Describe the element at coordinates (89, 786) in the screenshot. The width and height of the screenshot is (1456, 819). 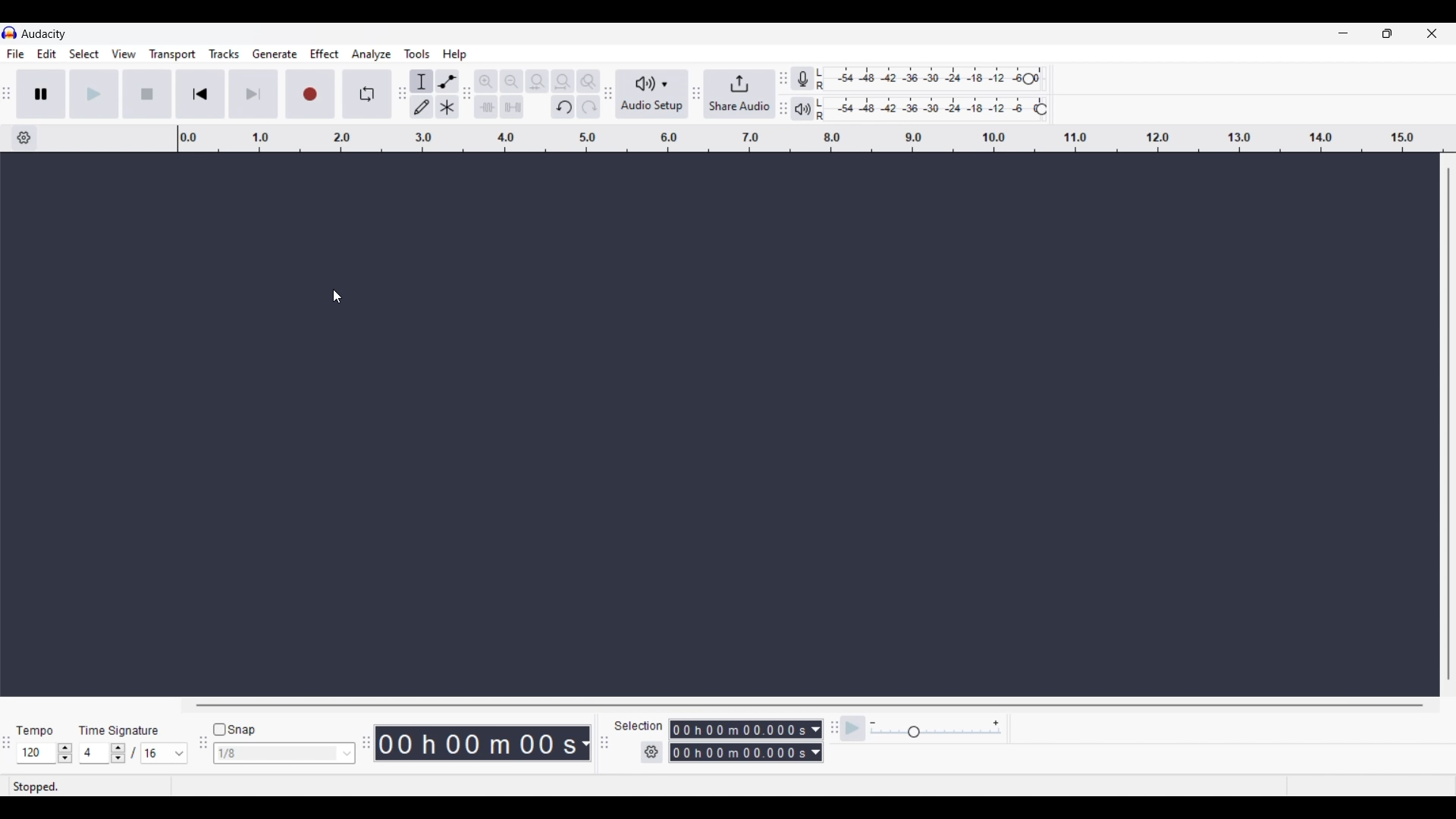
I see `Status of recording` at that location.